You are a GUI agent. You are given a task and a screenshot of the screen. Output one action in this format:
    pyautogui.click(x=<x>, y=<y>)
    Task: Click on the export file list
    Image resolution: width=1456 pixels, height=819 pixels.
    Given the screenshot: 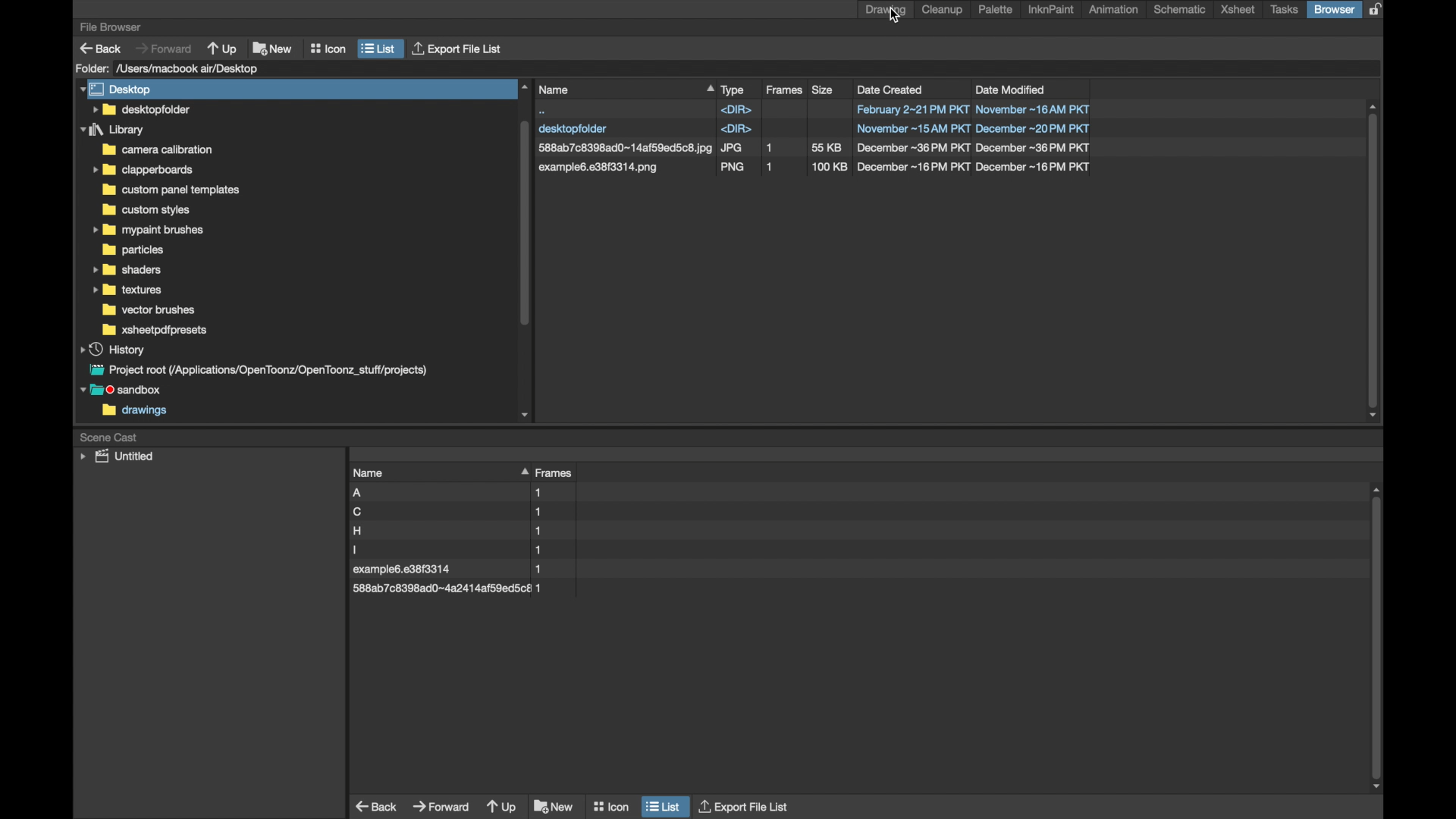 What is the action you would take?
    pyautogui.click(x=459, y=49)
    